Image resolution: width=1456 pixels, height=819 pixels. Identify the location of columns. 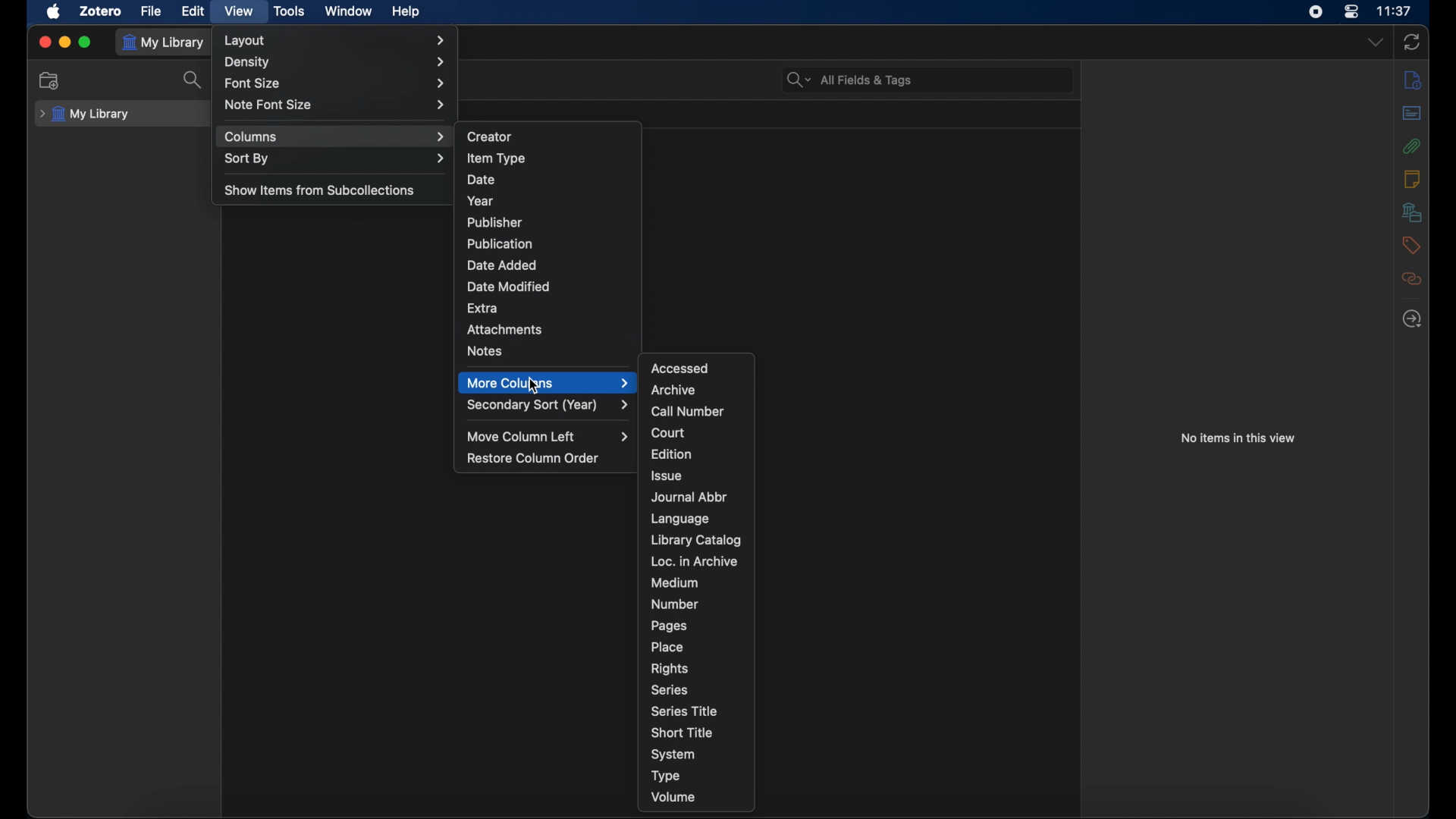
(334, 136).